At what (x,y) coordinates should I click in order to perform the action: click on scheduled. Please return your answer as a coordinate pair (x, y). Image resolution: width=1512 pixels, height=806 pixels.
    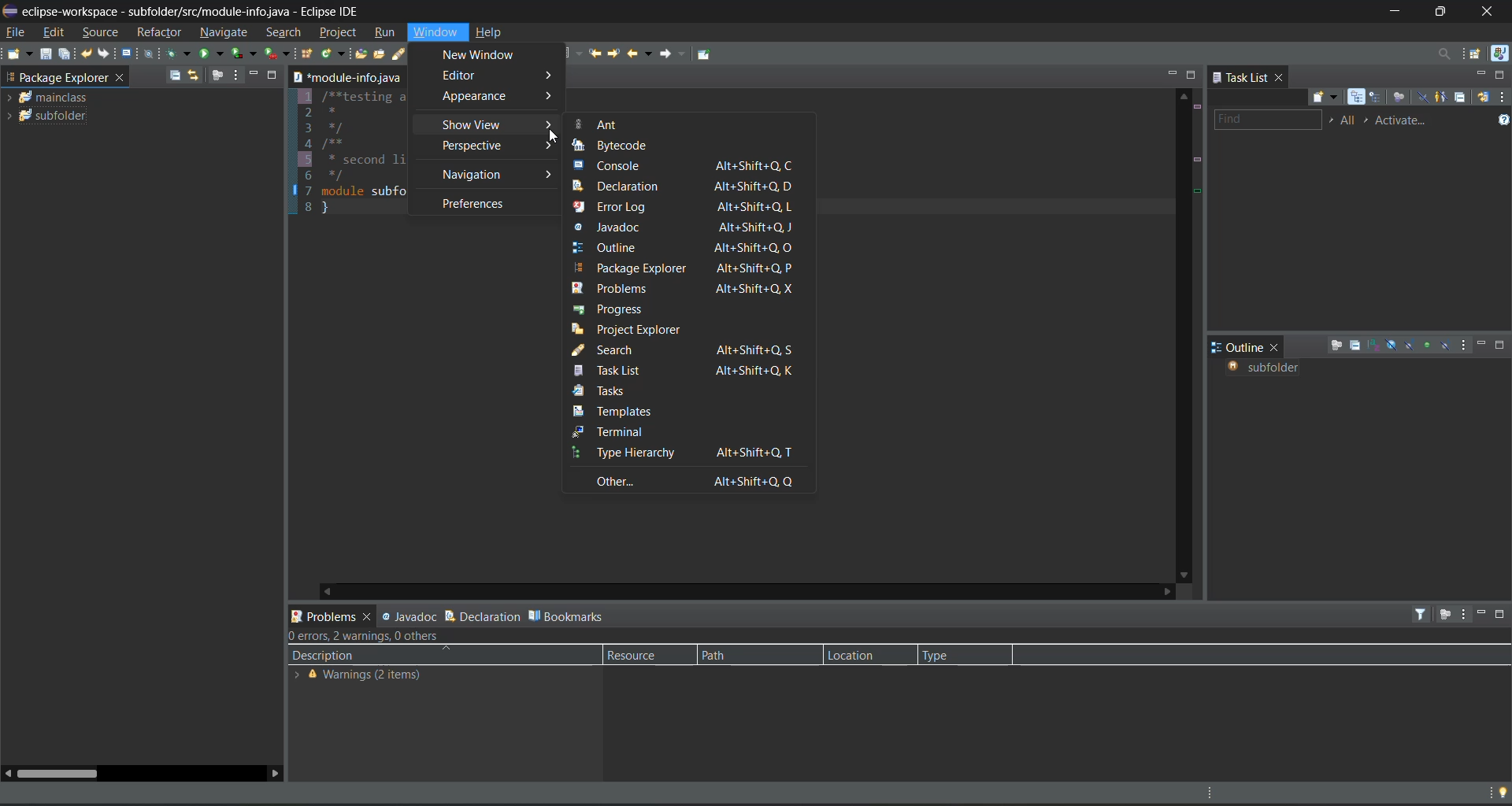
    Looking at the image, I should click on (1377, 98).